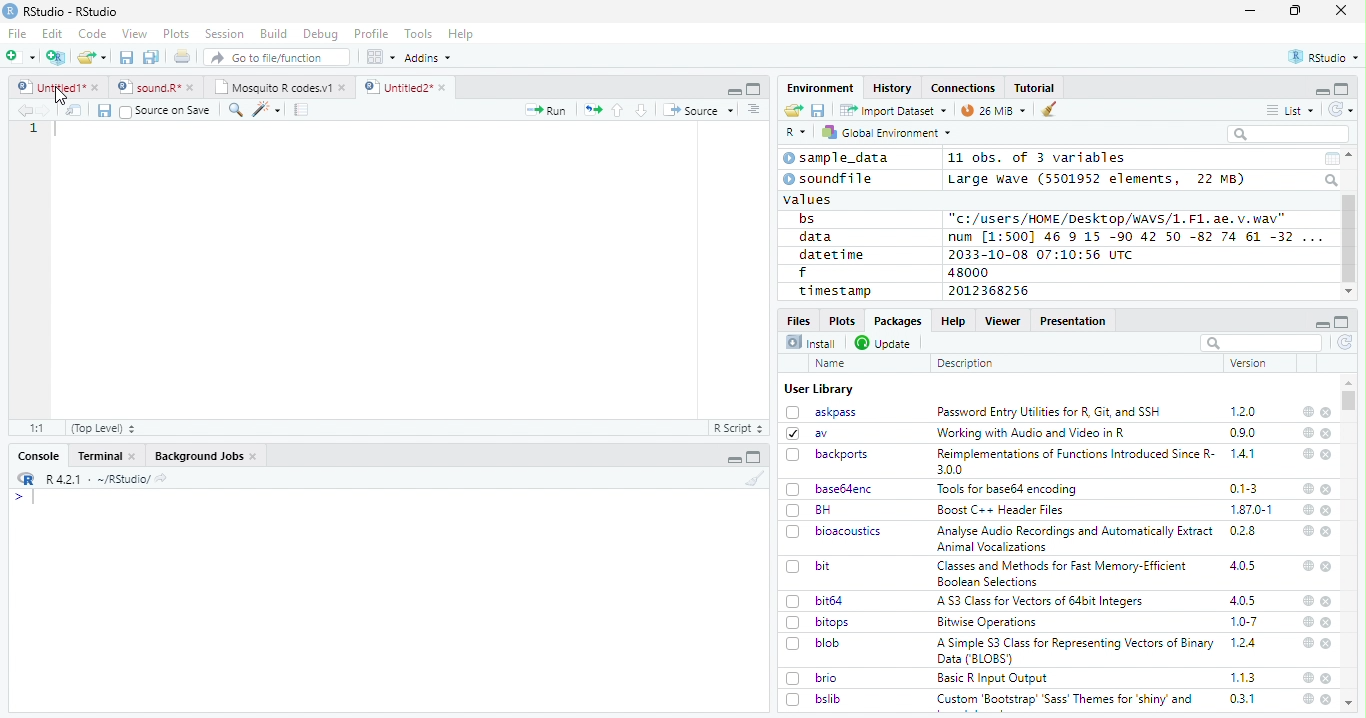 The width and height of the screenshot is (1366, 718). Describe the element at coordinates (819, 111) in the screenshot. I see `Save` at that location.